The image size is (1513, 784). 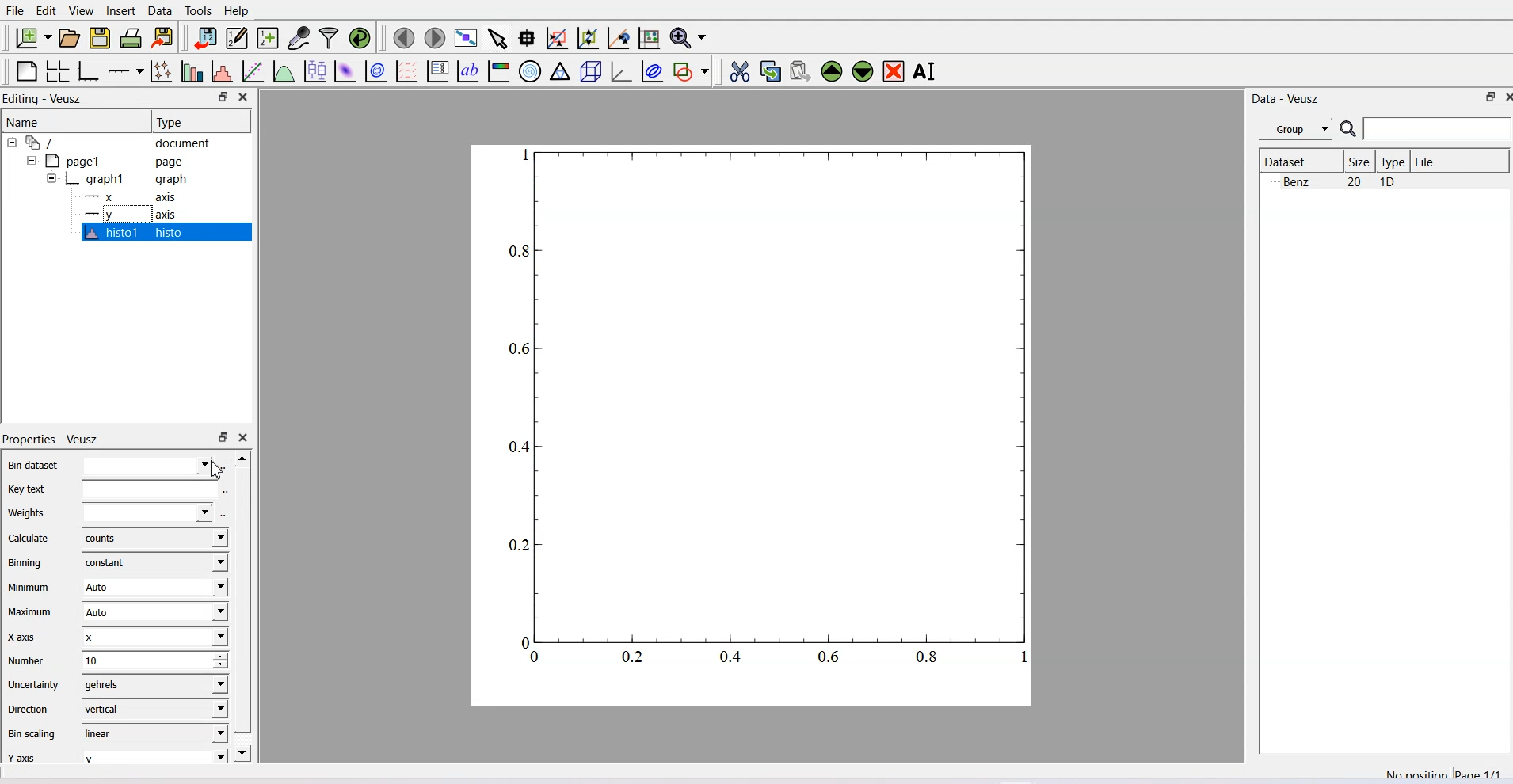 I want to click on Help, so click(x=236, y=11).